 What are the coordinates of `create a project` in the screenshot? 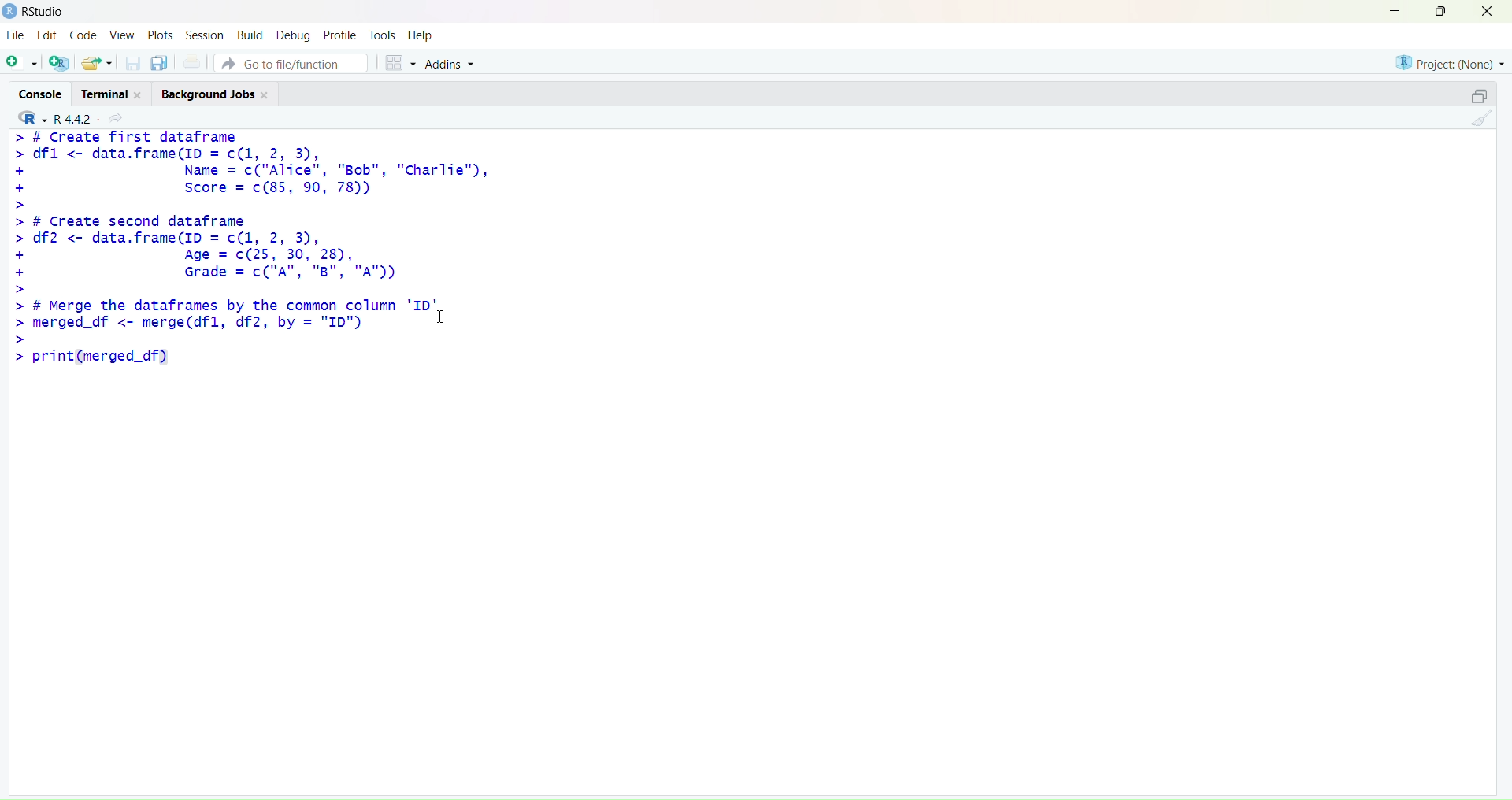 It's located at (60, 62).